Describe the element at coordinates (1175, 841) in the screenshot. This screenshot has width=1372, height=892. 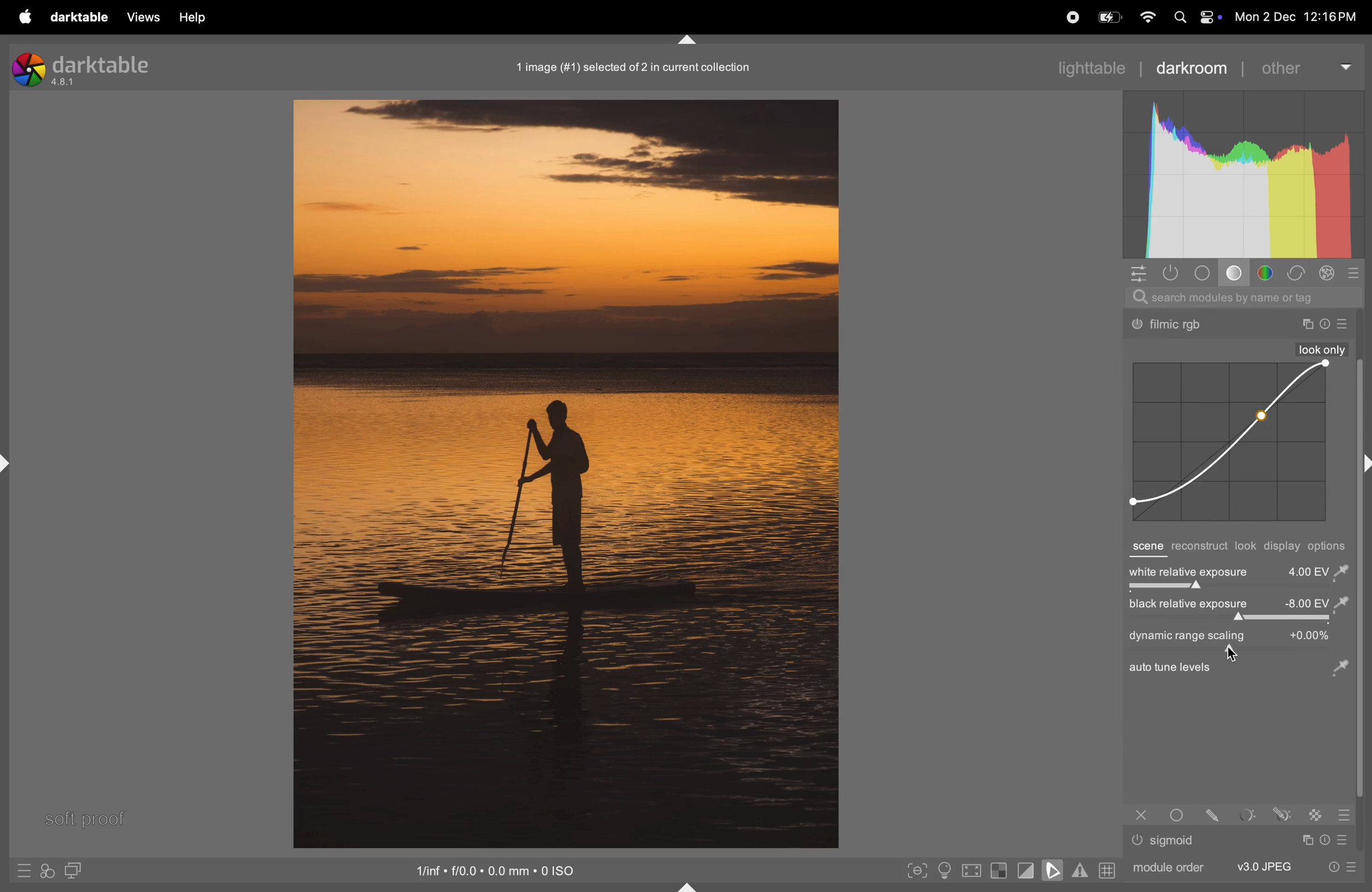
I see `` at that location.